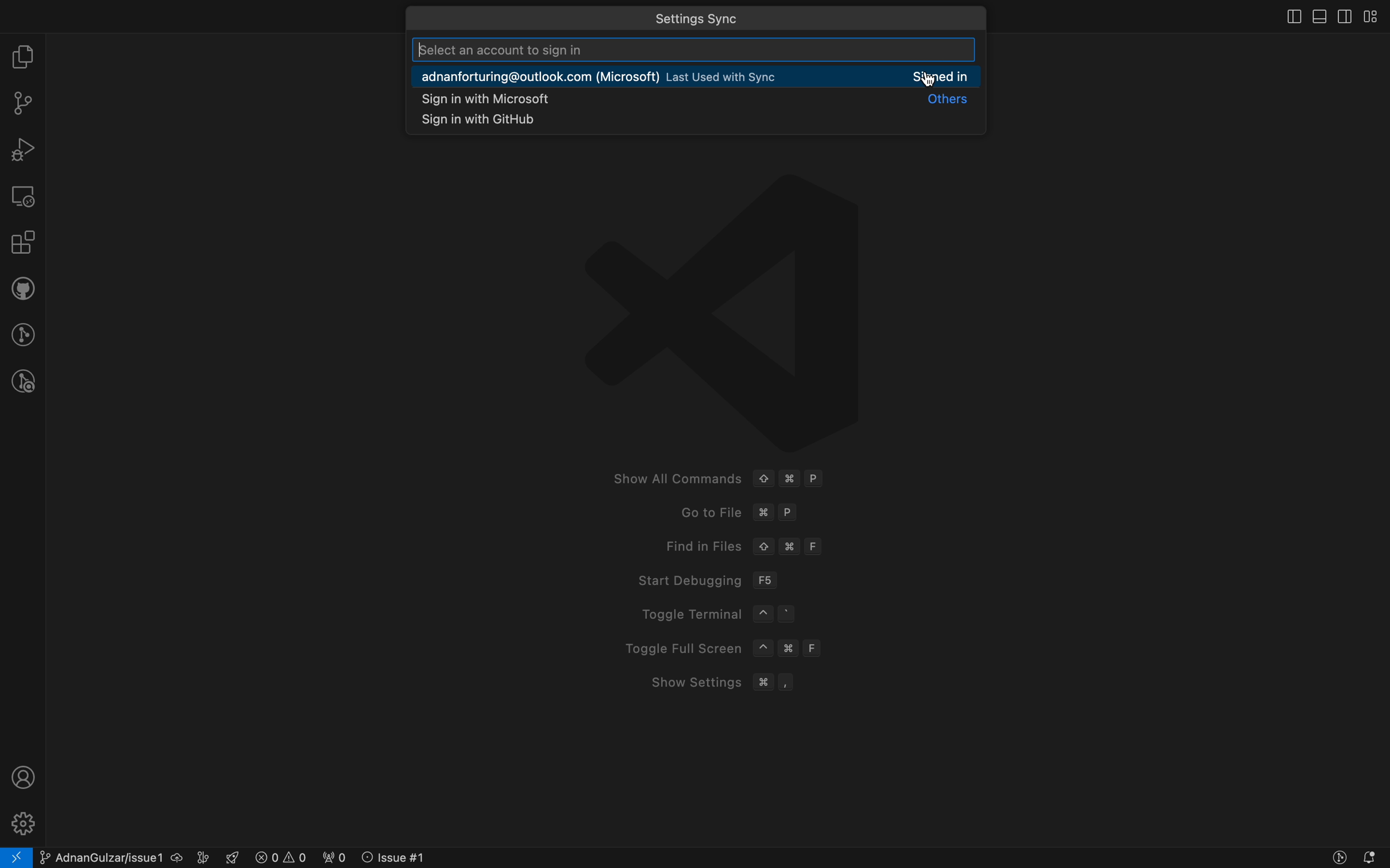  Describe the element at coordinates (25, 776) in the screenshot. I see `profile` at that location.